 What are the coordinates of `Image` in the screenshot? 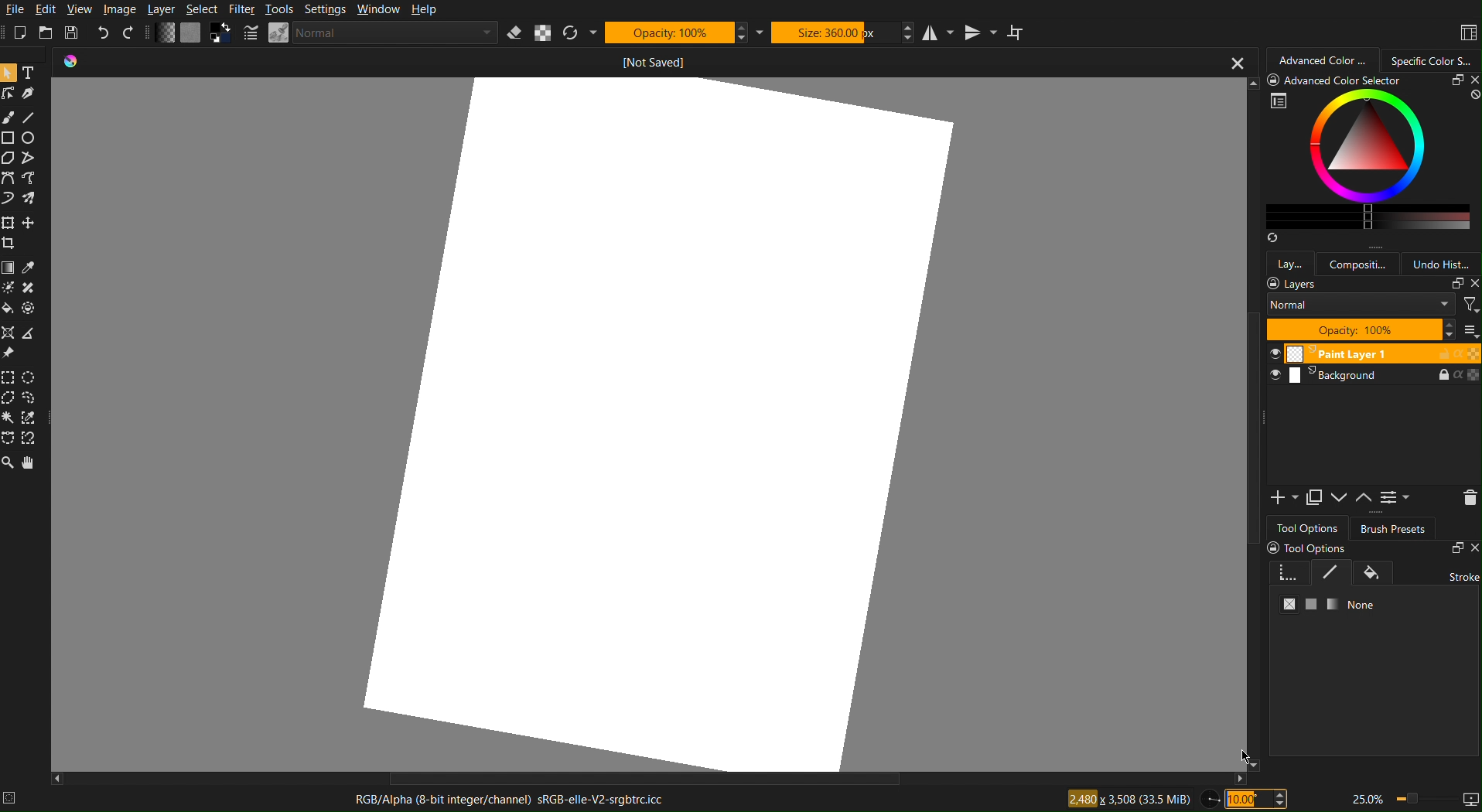 It's located at (120, 9).